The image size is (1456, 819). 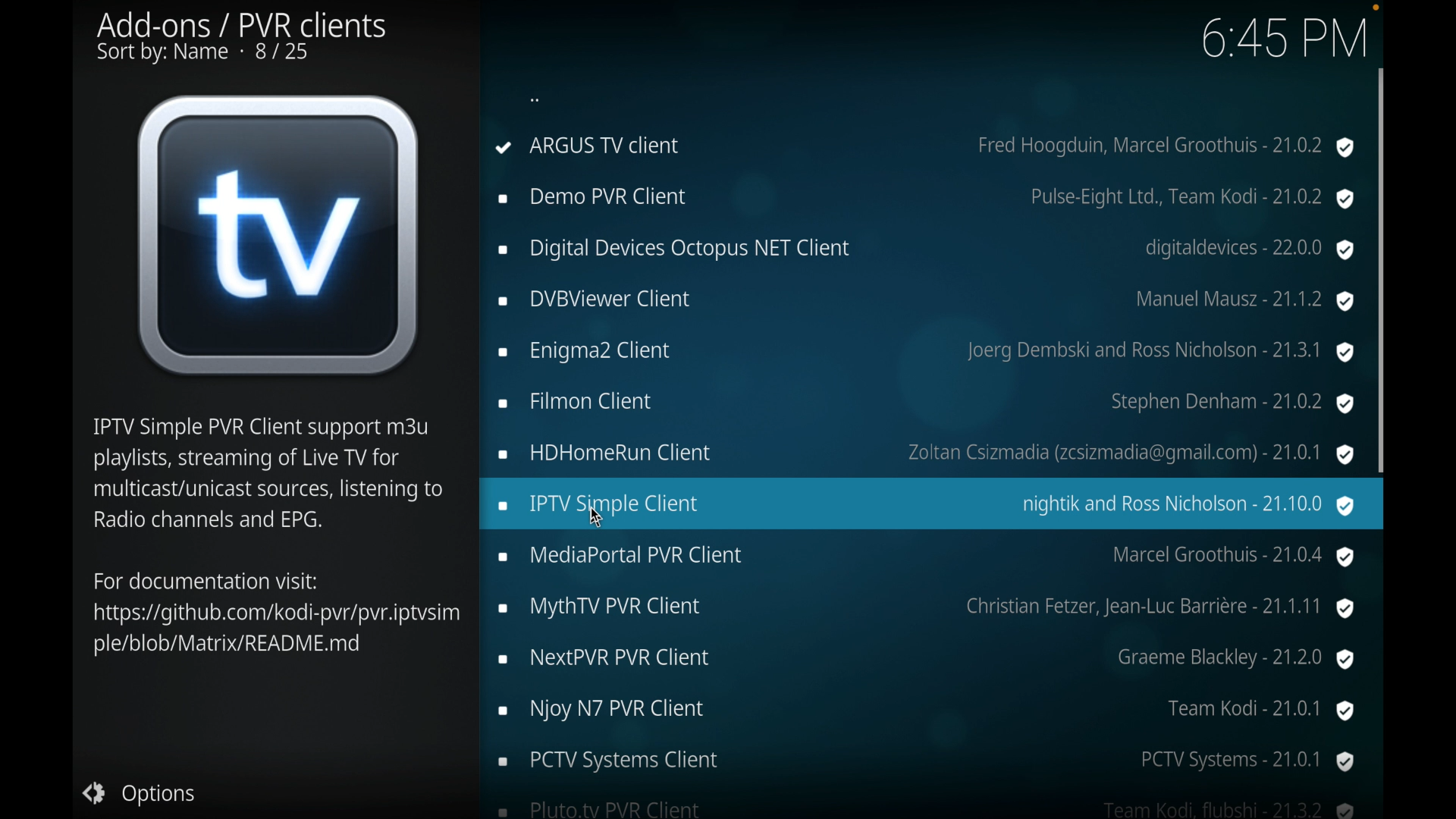 What do you see at coordinates (924, 248) in the screenshot?
I see `digital devices Octopus NET client` at bounding box center [924, 248].